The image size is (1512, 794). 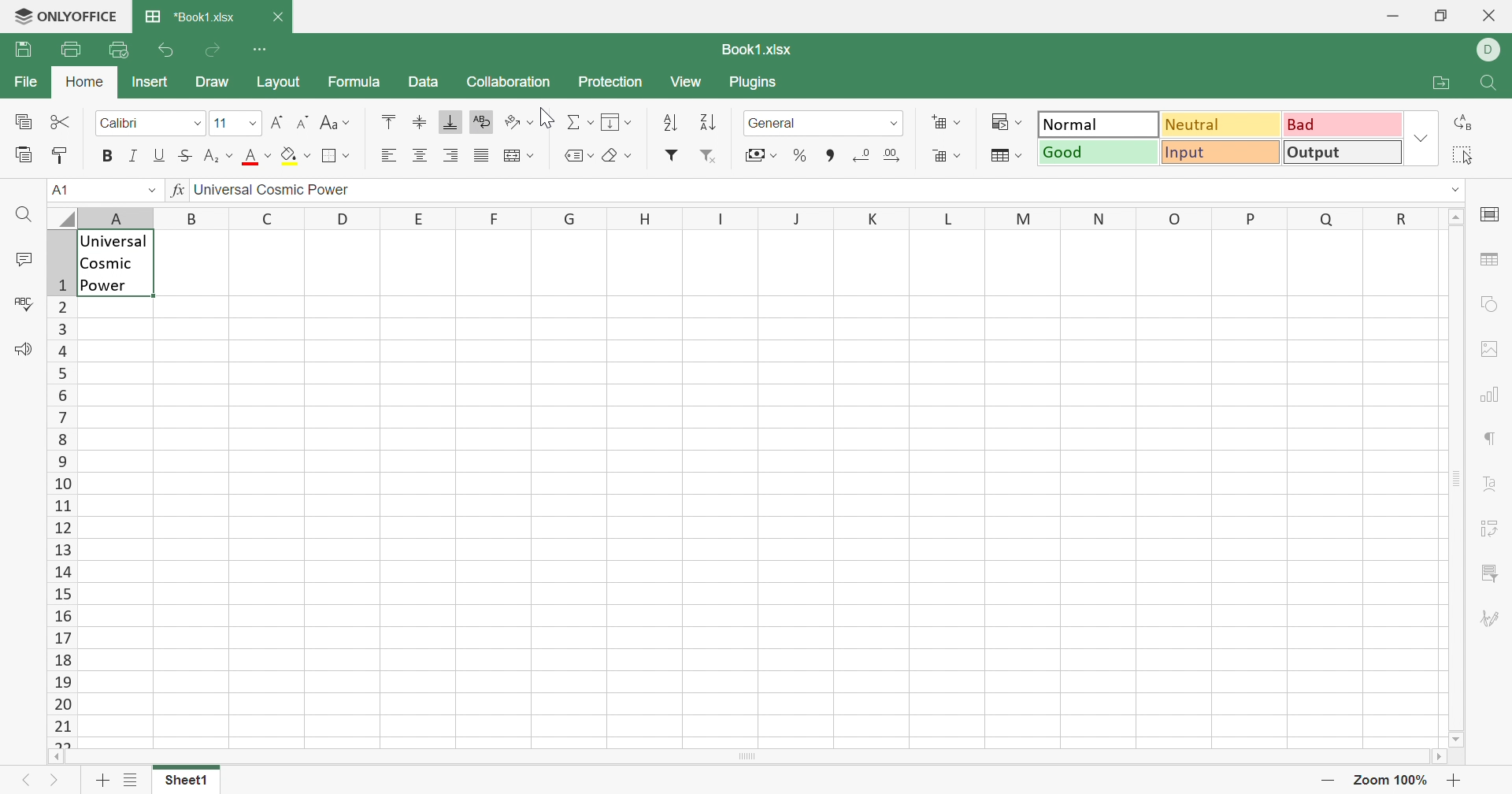 I want to click on Input, so click(x=1225, y=153).